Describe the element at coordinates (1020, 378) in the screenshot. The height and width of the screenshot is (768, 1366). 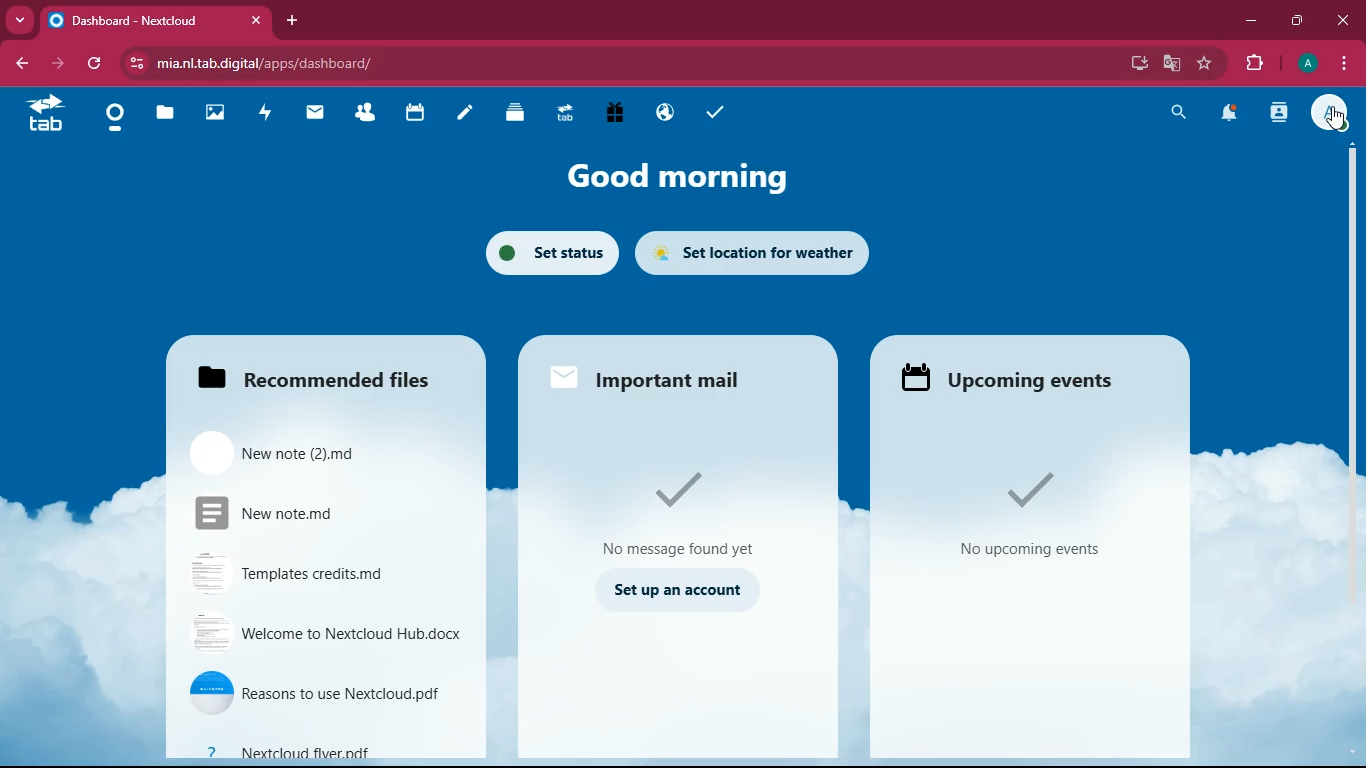
I see `events` at that location.